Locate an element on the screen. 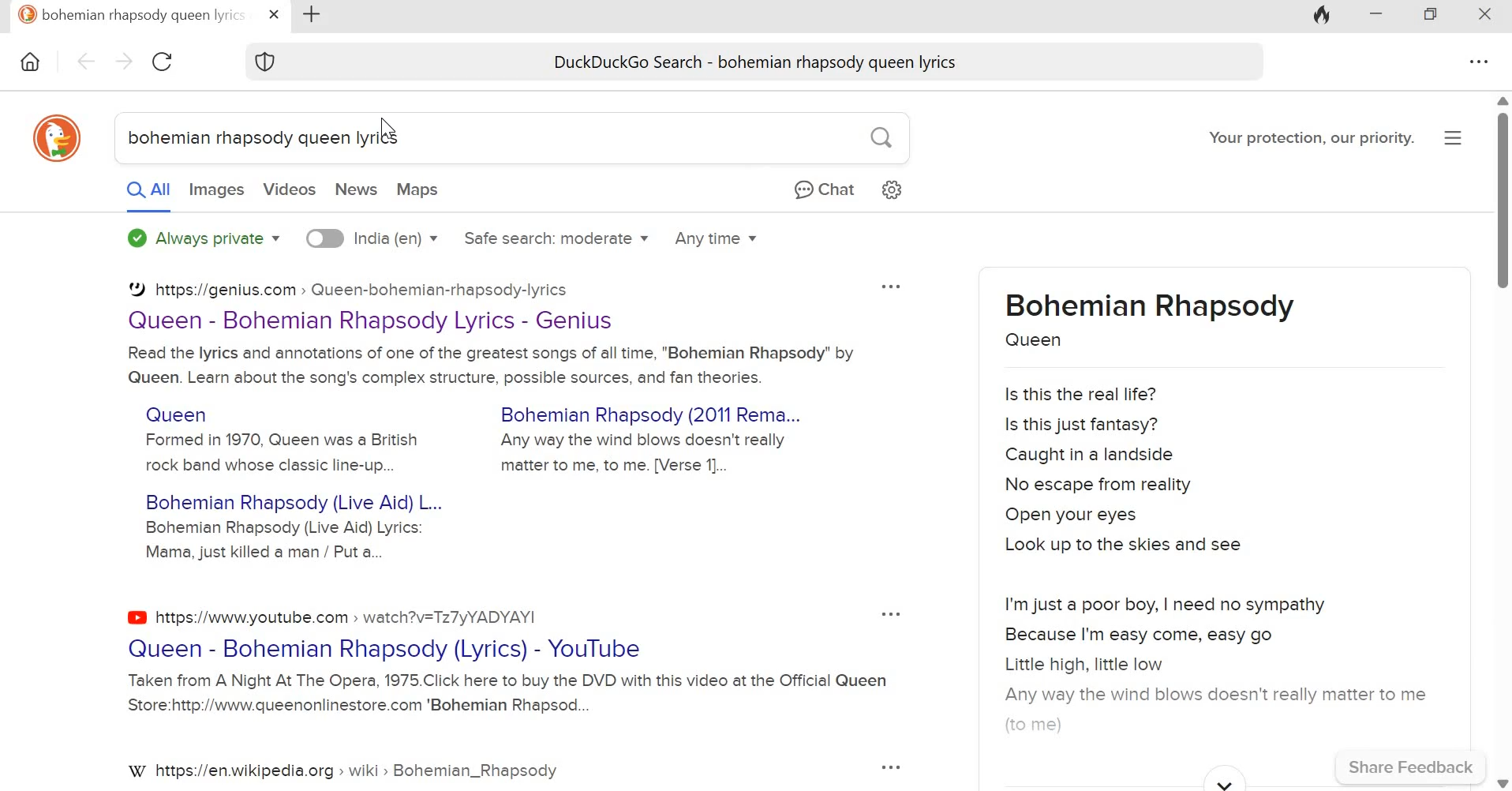 This screenshot has width=1512, height=791. All is located at coordinates (150, 190).